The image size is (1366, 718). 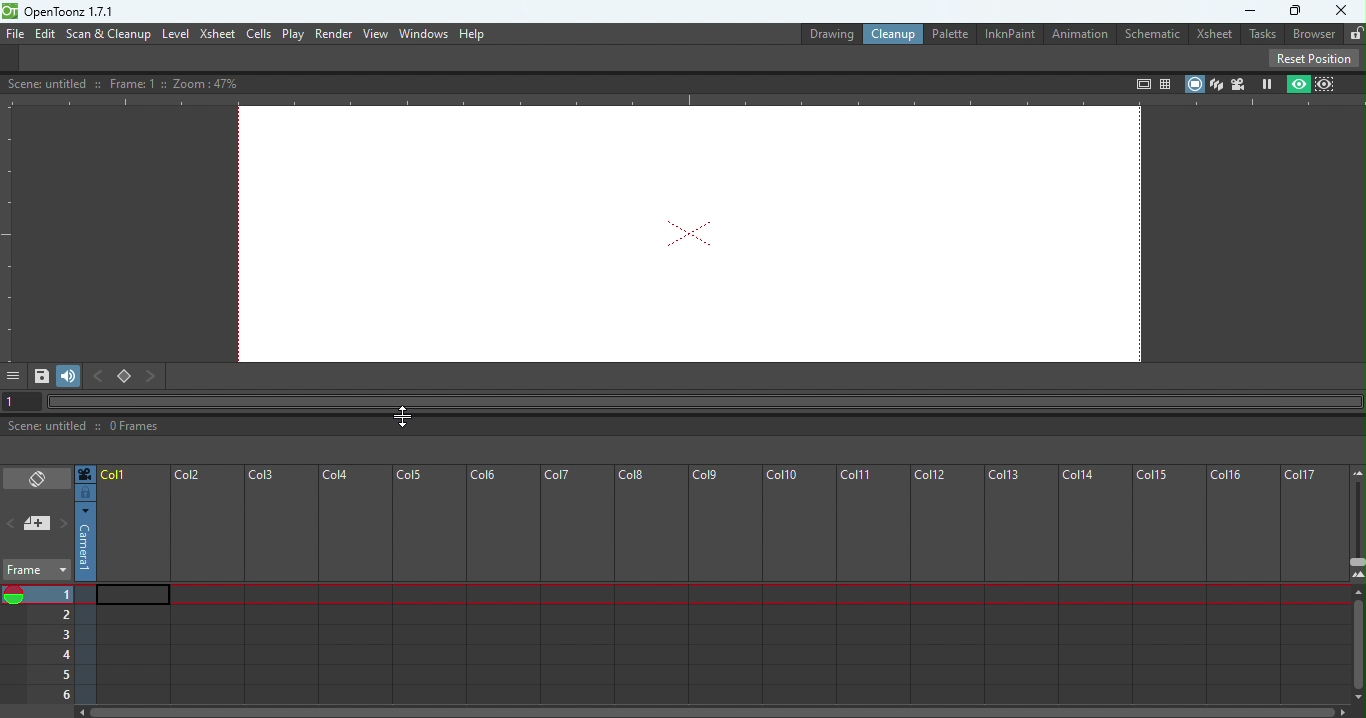 I want to click on Render, so click(x=331, y=33).